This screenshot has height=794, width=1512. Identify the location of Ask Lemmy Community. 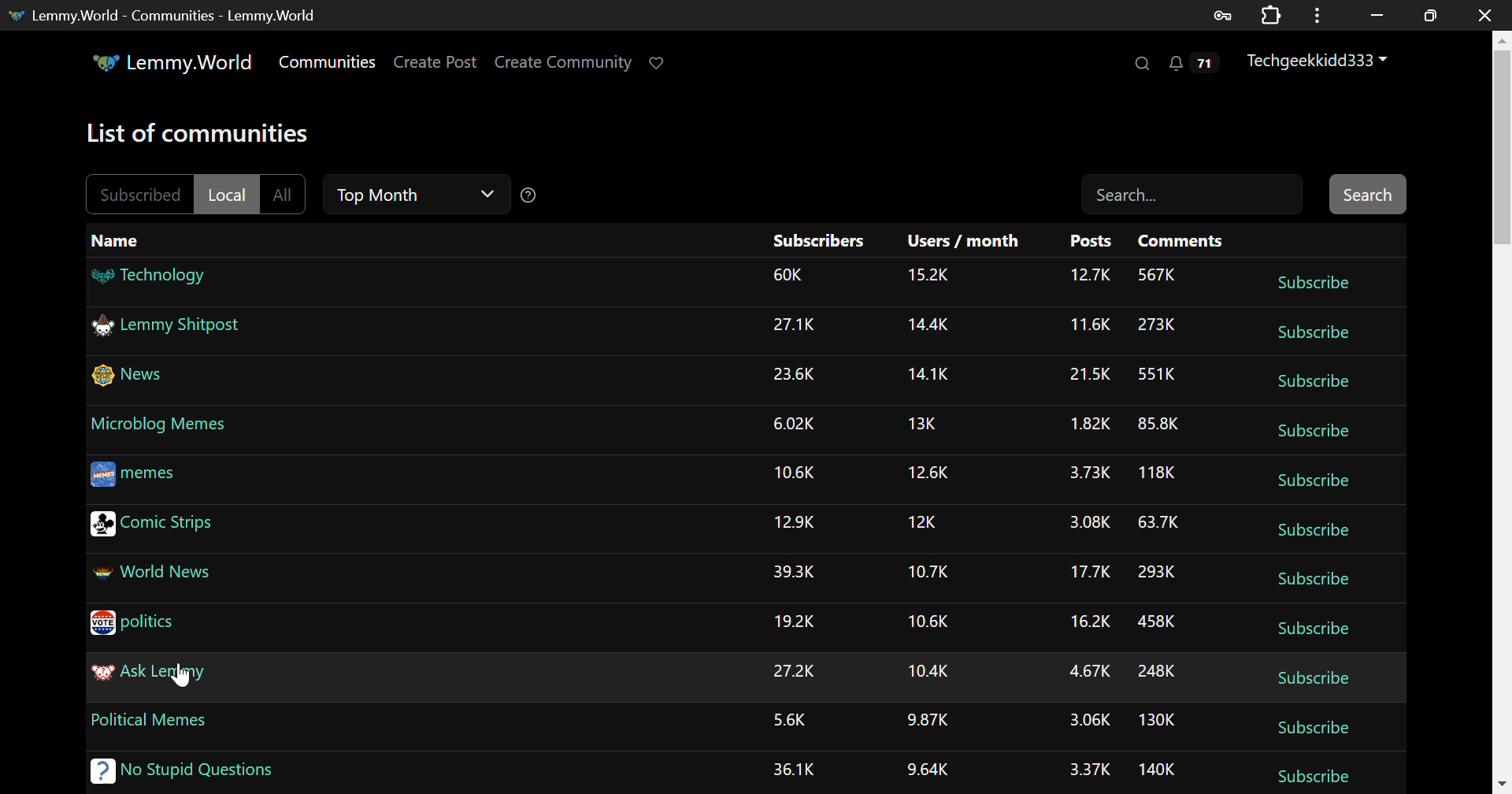
(148, 677).